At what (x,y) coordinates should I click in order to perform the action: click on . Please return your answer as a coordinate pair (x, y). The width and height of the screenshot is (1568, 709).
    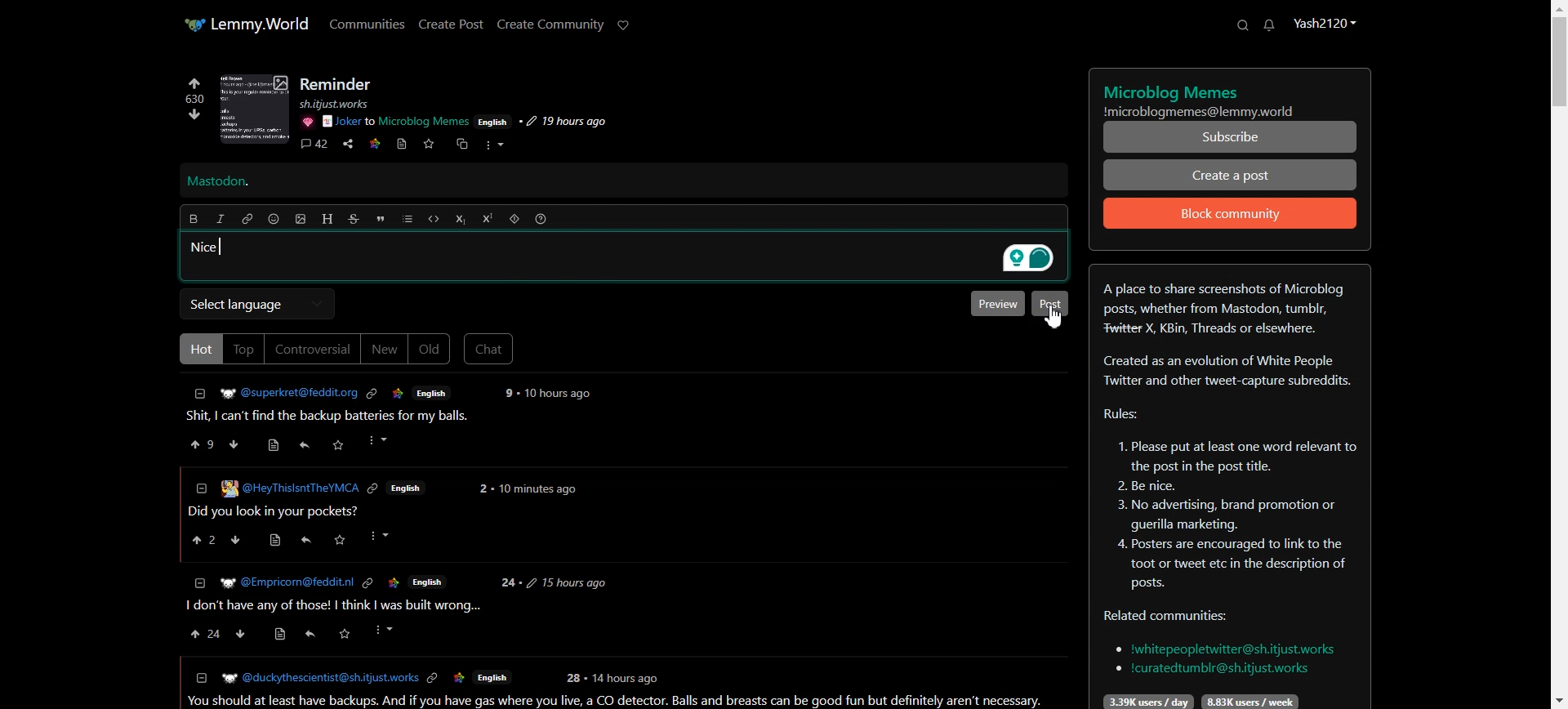
    Looking at the image, I should click on (428, 581).